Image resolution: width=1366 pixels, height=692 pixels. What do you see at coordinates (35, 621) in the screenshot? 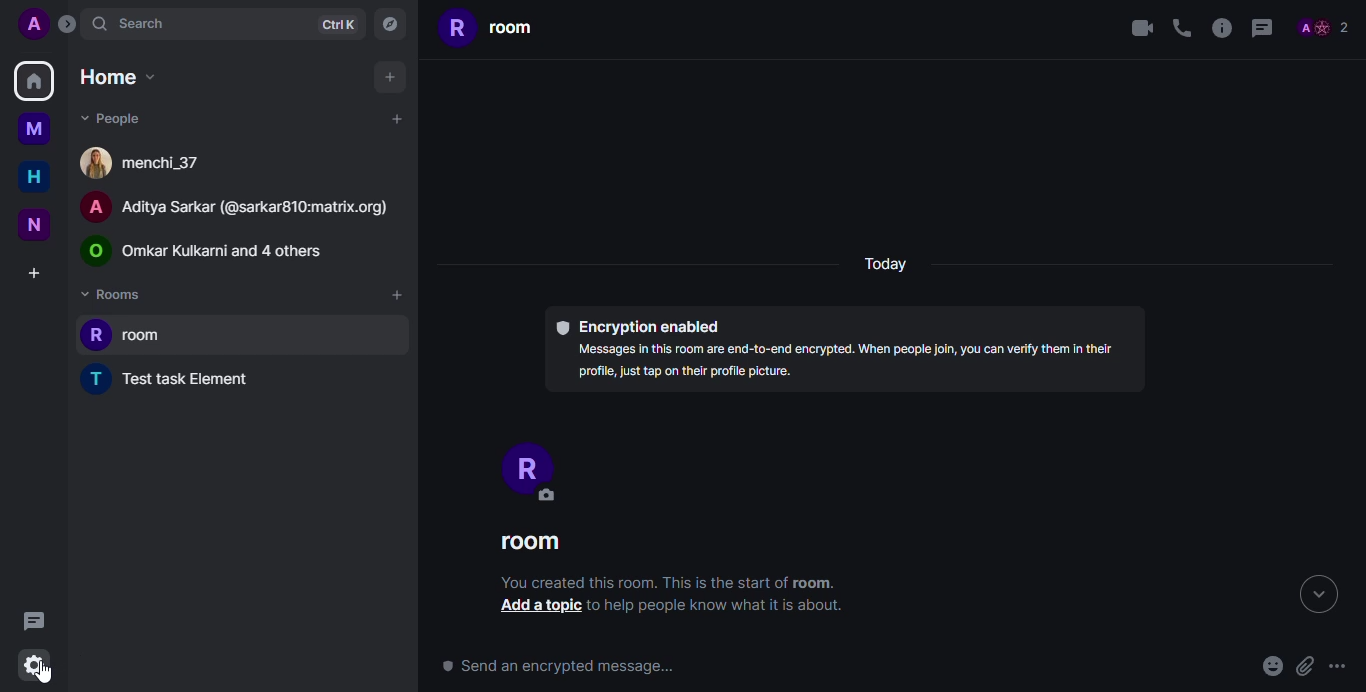
I see `threads` at bounding box center [35, 621].